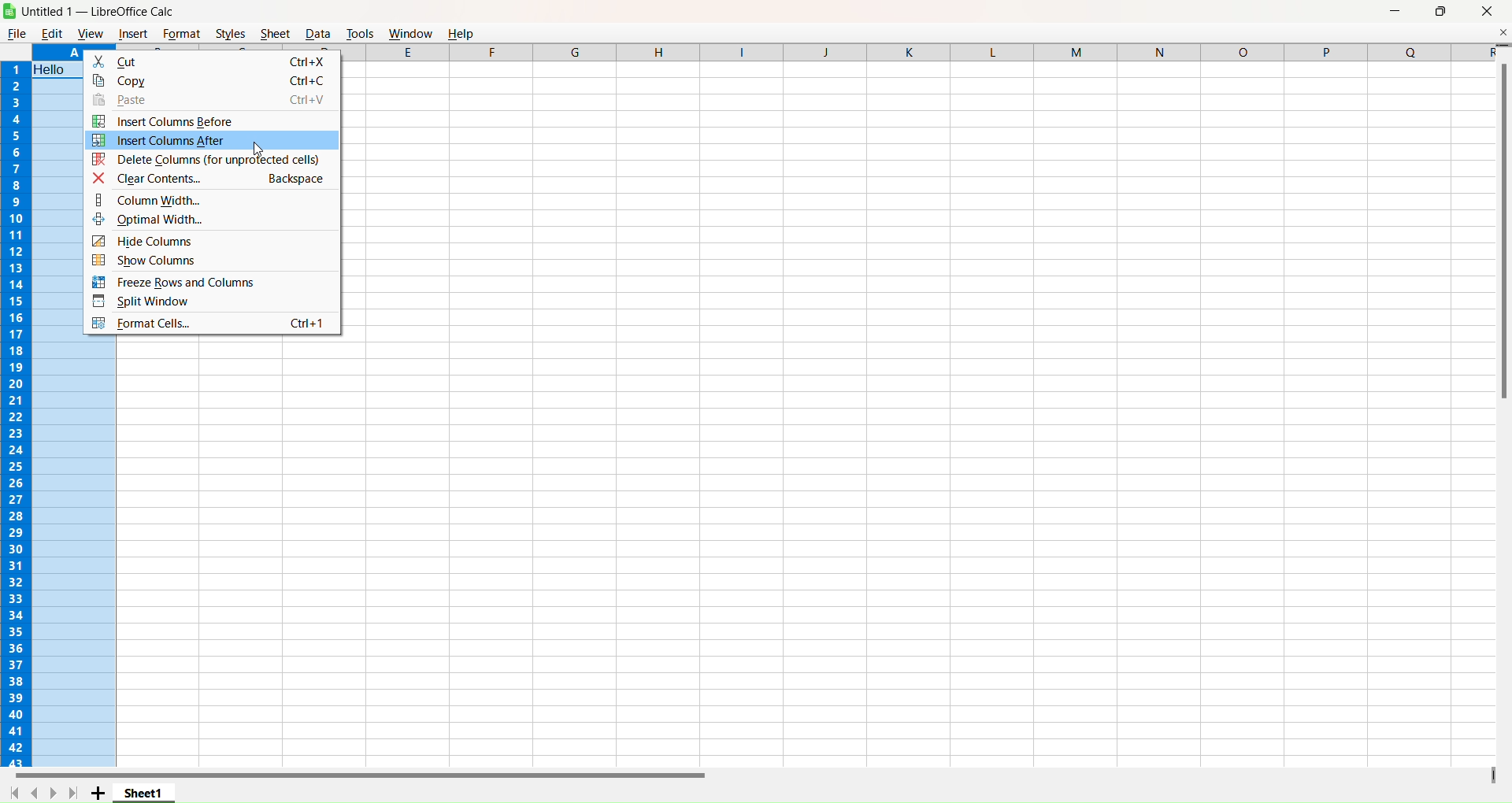  What do you see at coordinates (915, 52) in the screenshot?
I see `Columns` at bounding box center [915, 52].